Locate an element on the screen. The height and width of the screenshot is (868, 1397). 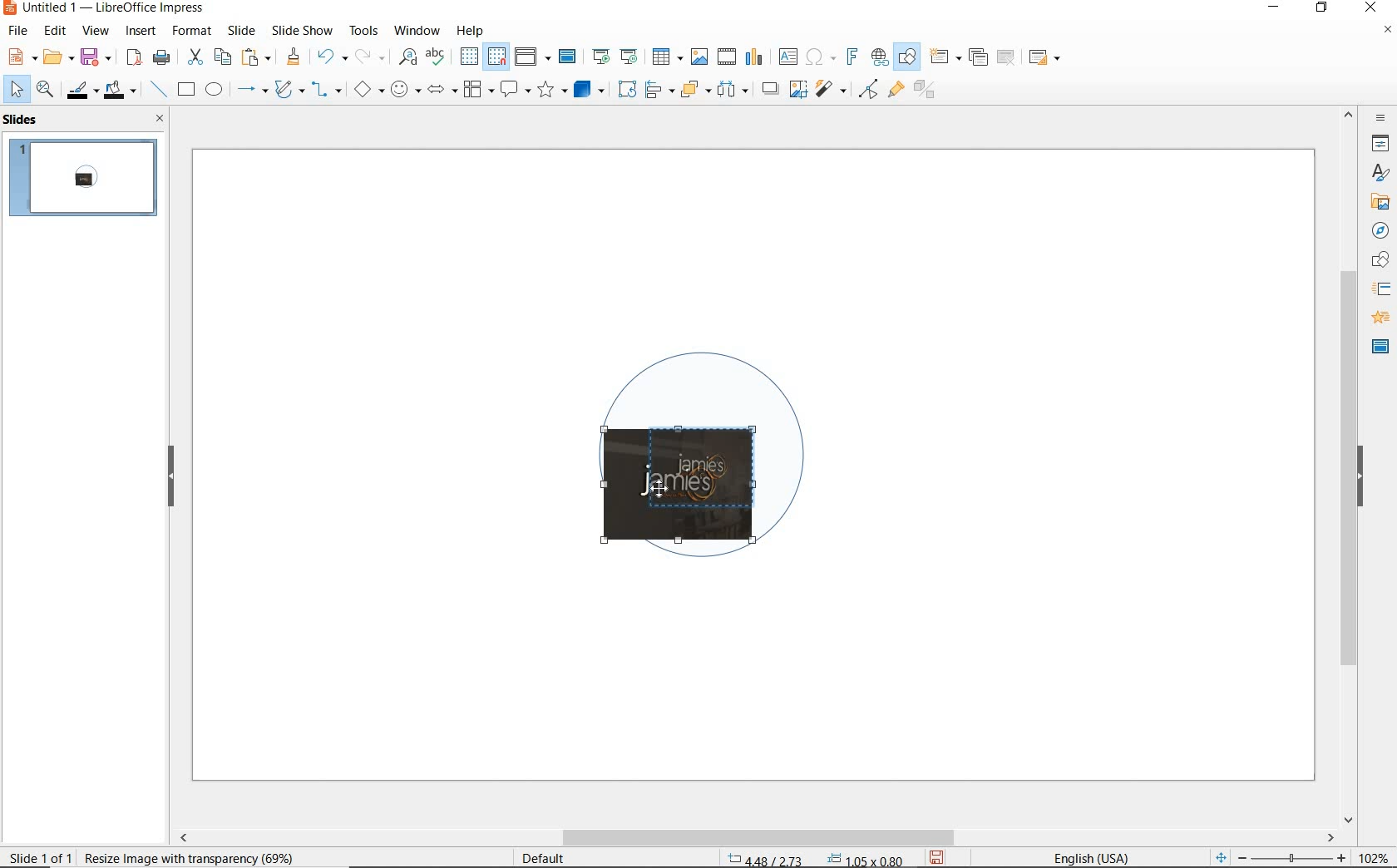
gallery is located at coordinates (1377, 201).